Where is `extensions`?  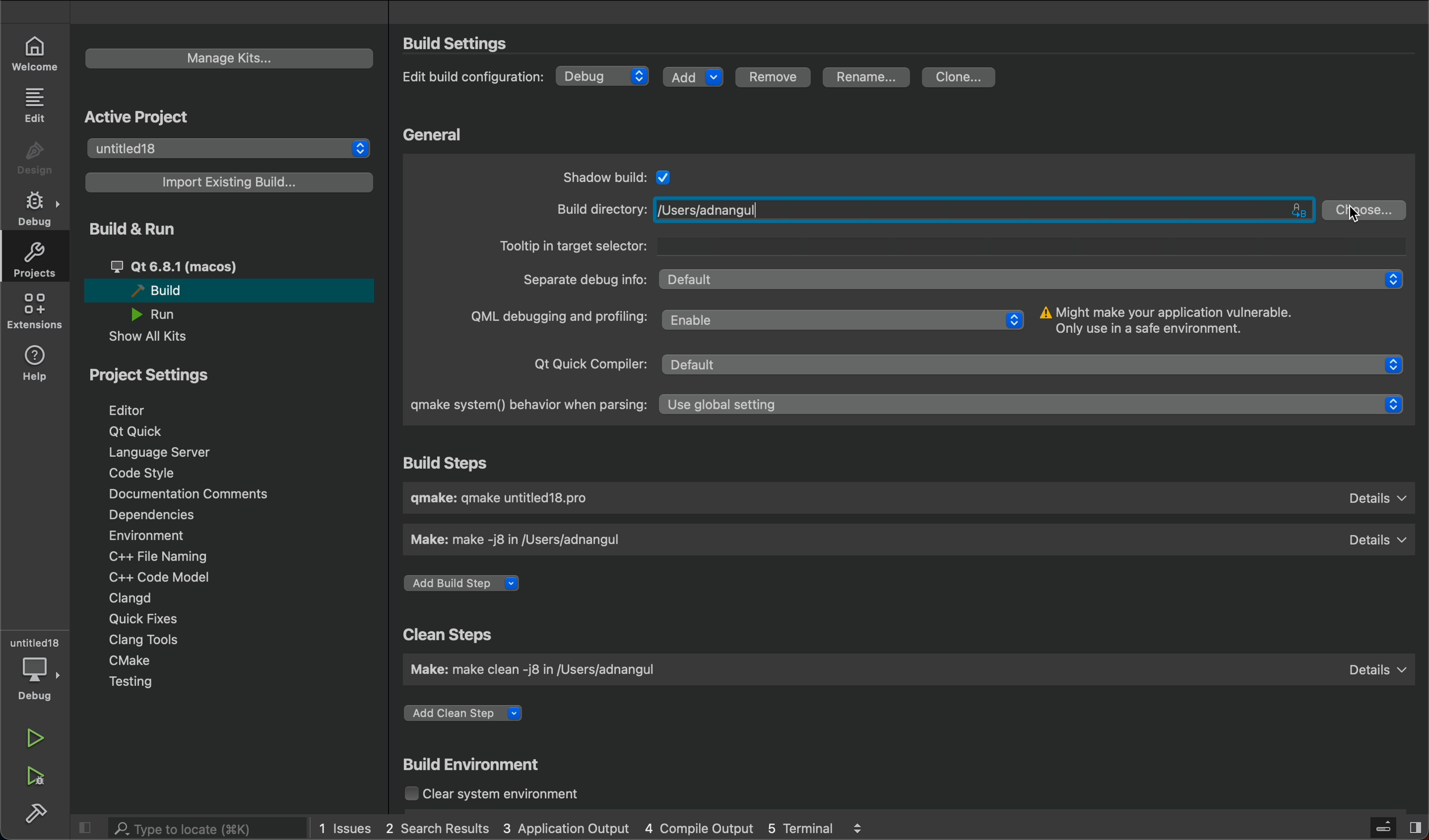
extensions is located at coordinates (35, 315).